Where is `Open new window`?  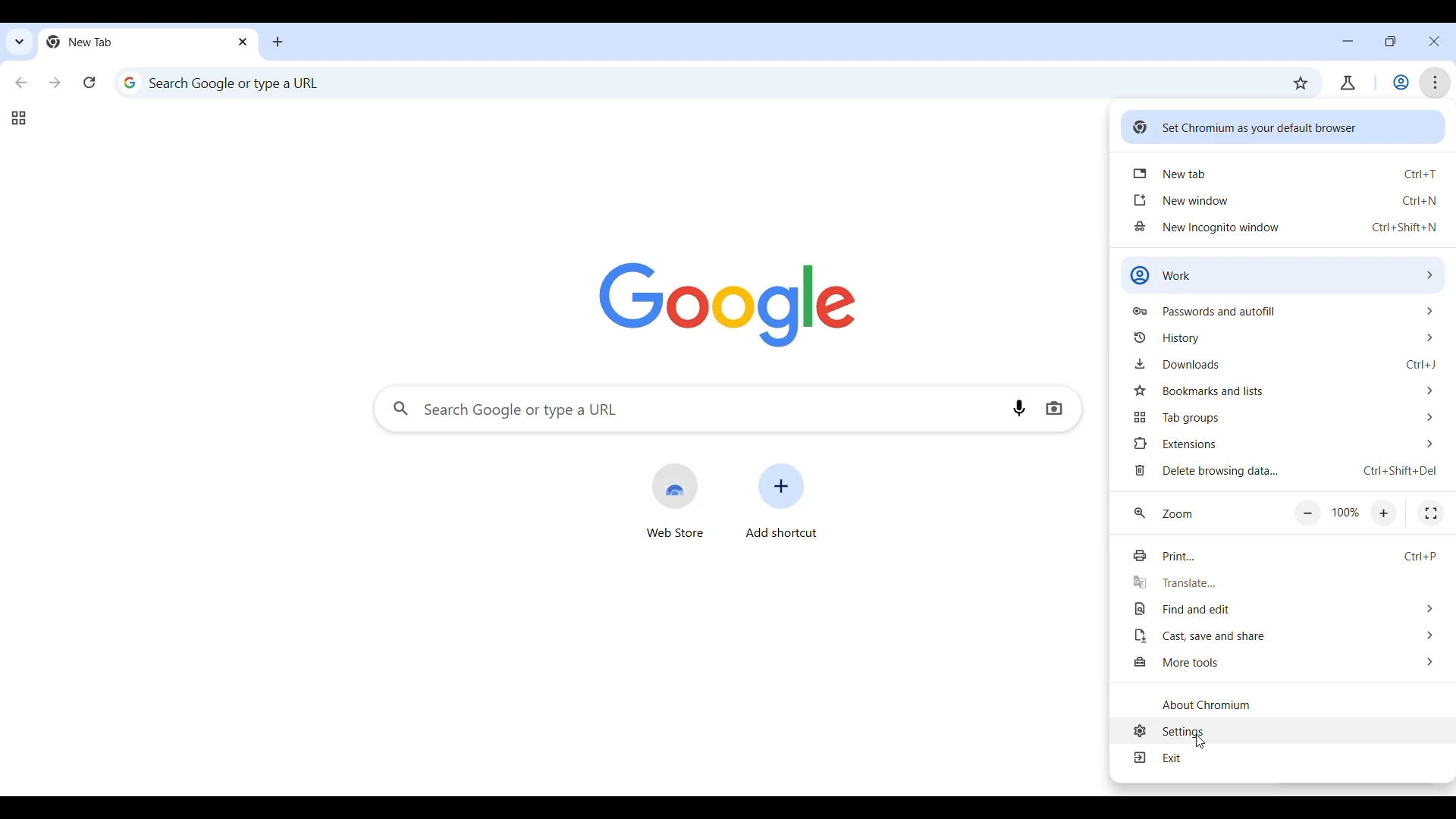
Open new window is located at coordinates (1283, 200).